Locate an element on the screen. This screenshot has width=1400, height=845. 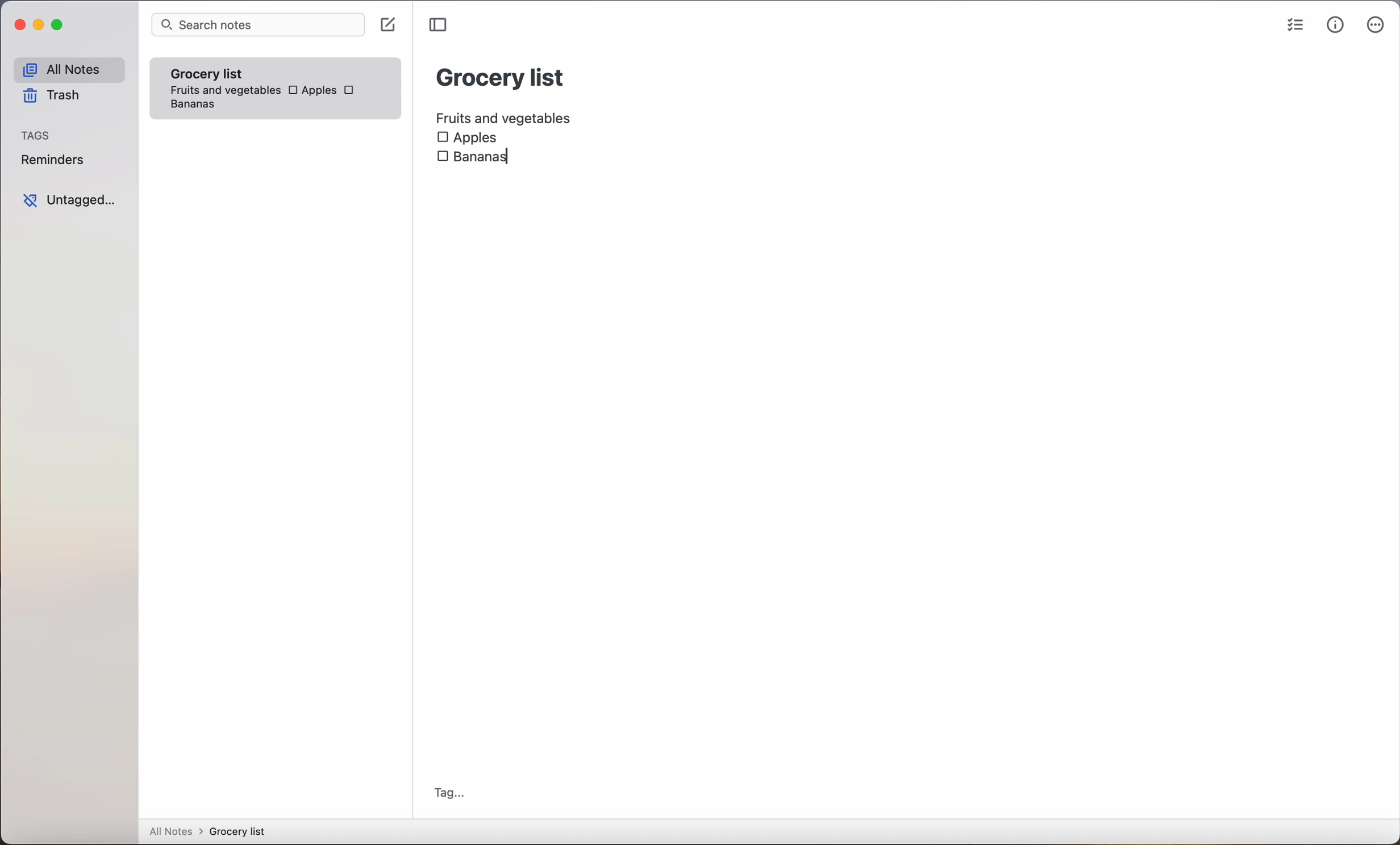
close Simplenote is located at coordinates (19, 26).